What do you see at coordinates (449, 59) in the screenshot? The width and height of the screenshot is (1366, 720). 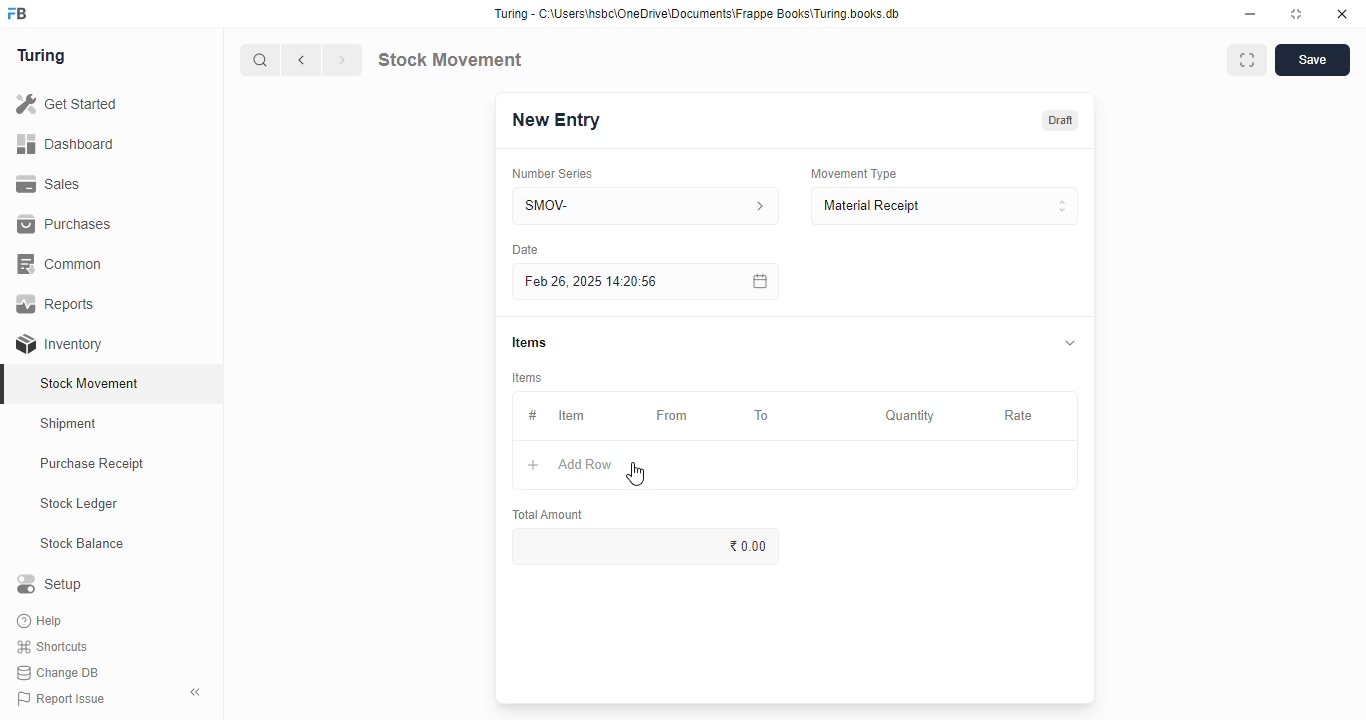 I see `stock movement` at bounding box center [449, 59].